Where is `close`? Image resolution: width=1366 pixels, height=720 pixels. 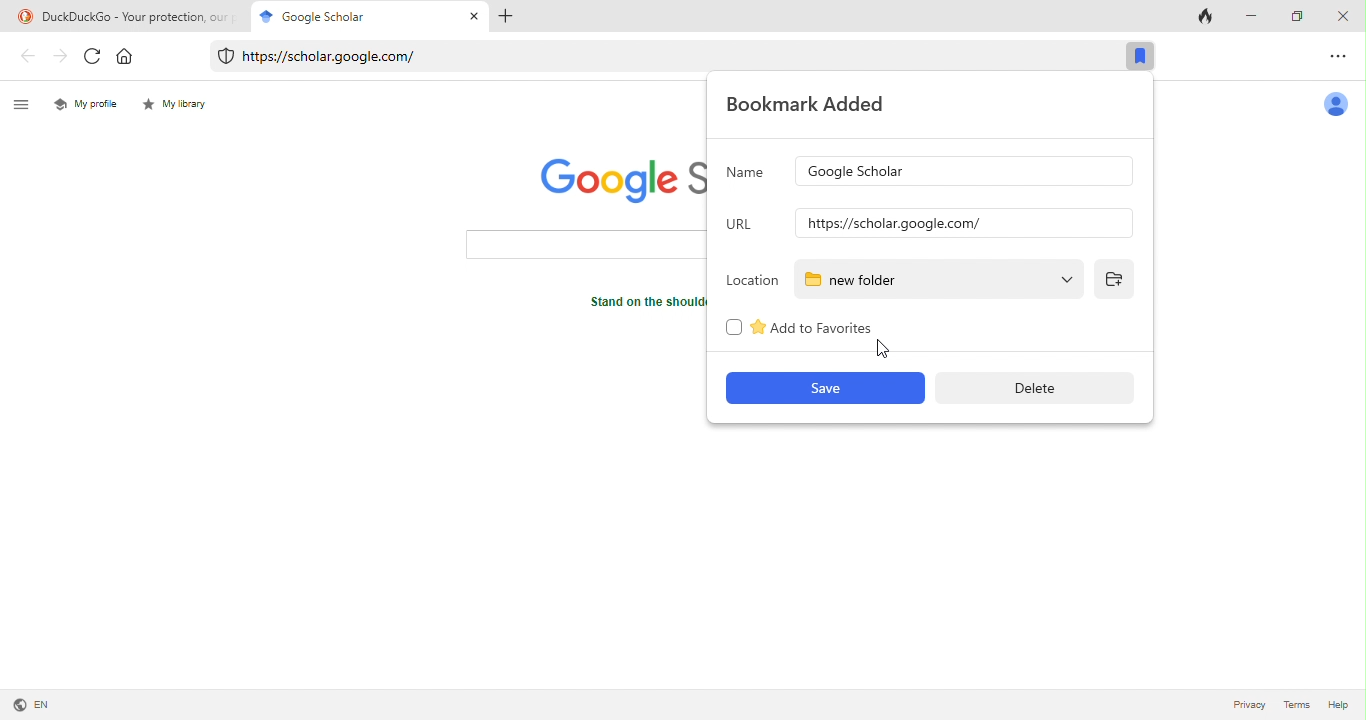 close is located at coordinates (1346, 15).